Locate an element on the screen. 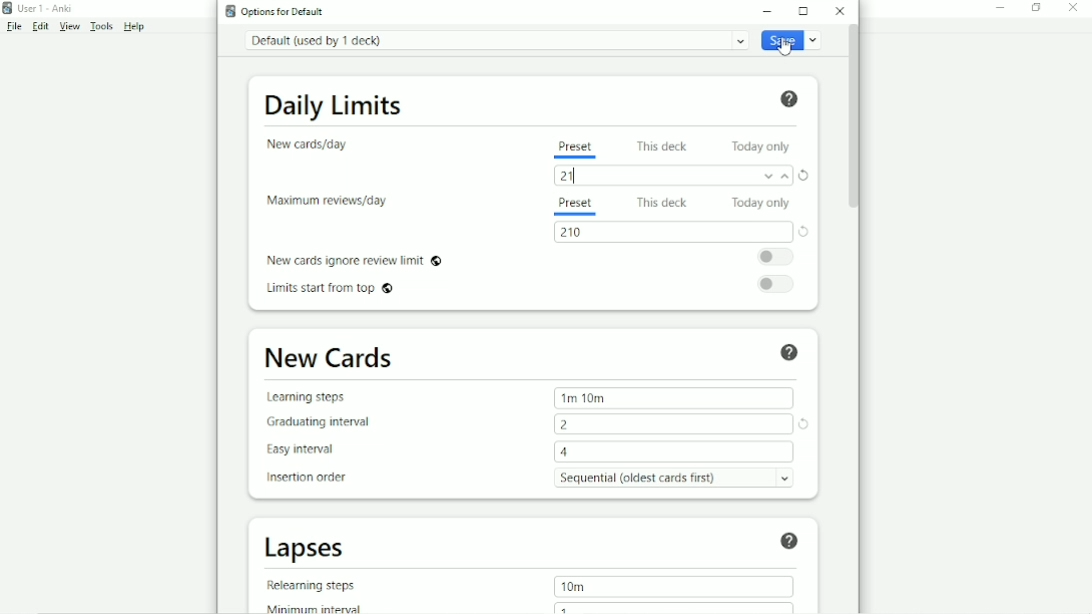 This screenshot has height=614, width=1092. Cursor is located at coordinates (783, 47).